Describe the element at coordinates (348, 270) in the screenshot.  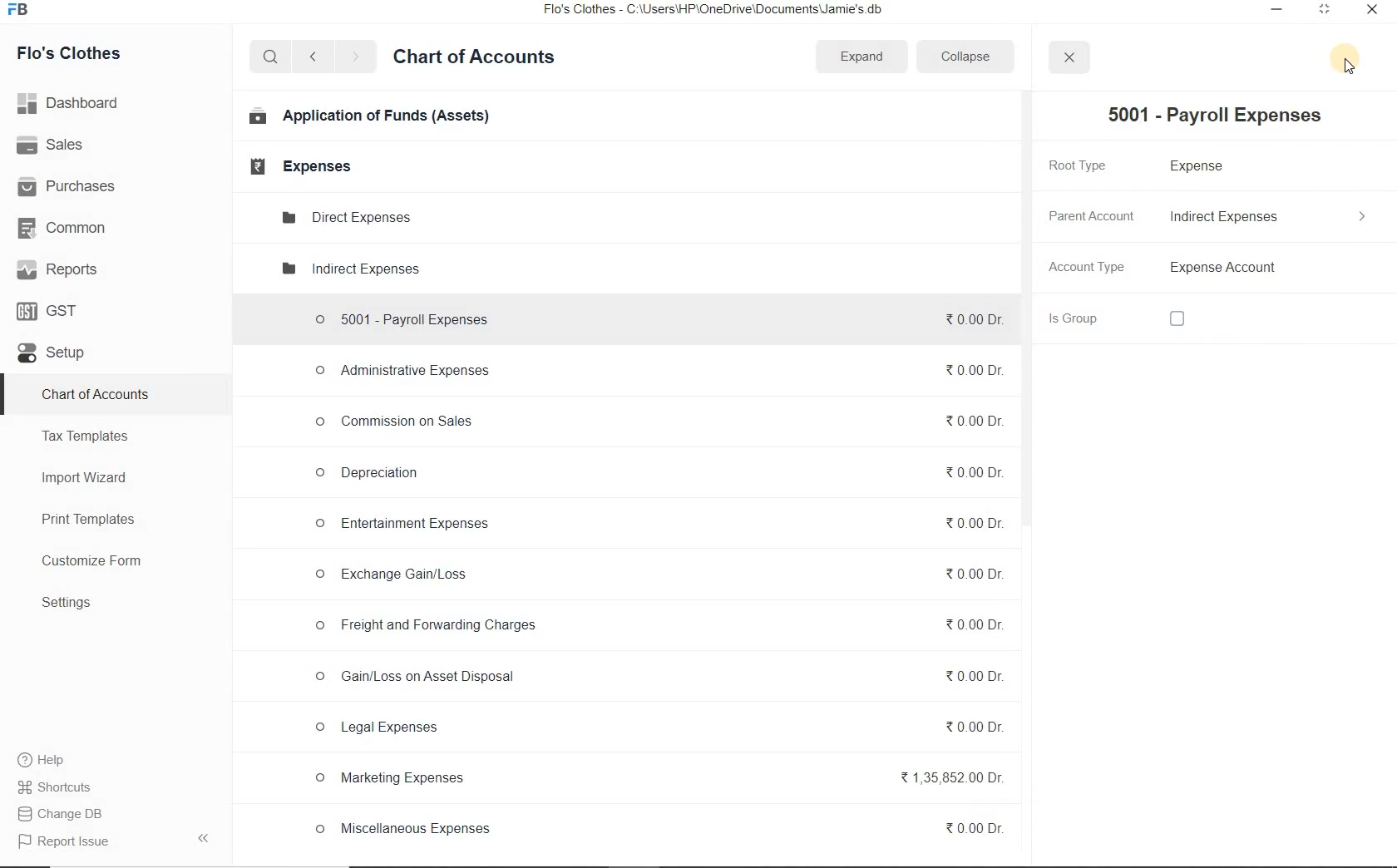
I see `Indirect expenses` at that location.